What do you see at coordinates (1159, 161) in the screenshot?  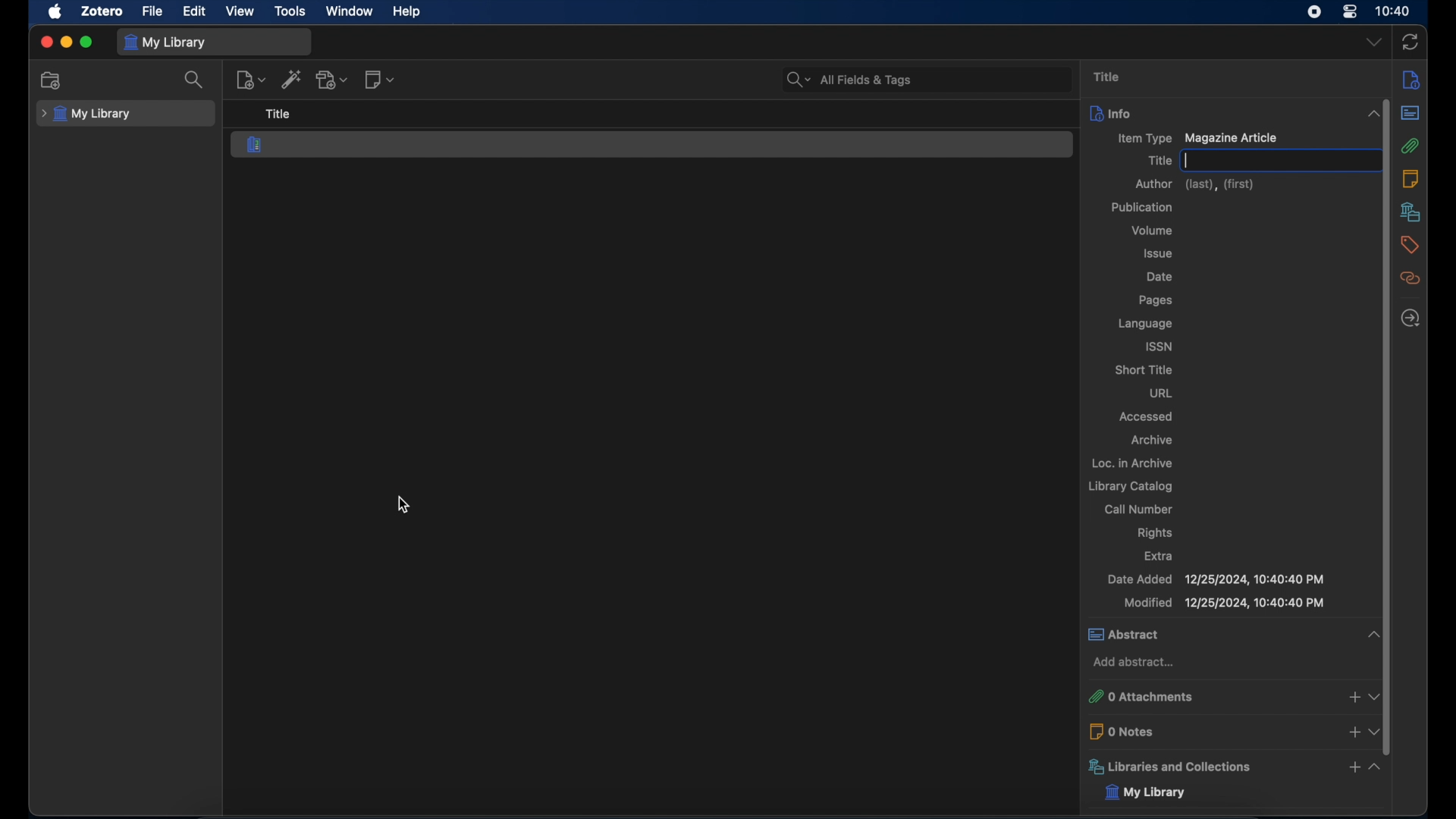 I see `title` at bounding box center [1159, 161].